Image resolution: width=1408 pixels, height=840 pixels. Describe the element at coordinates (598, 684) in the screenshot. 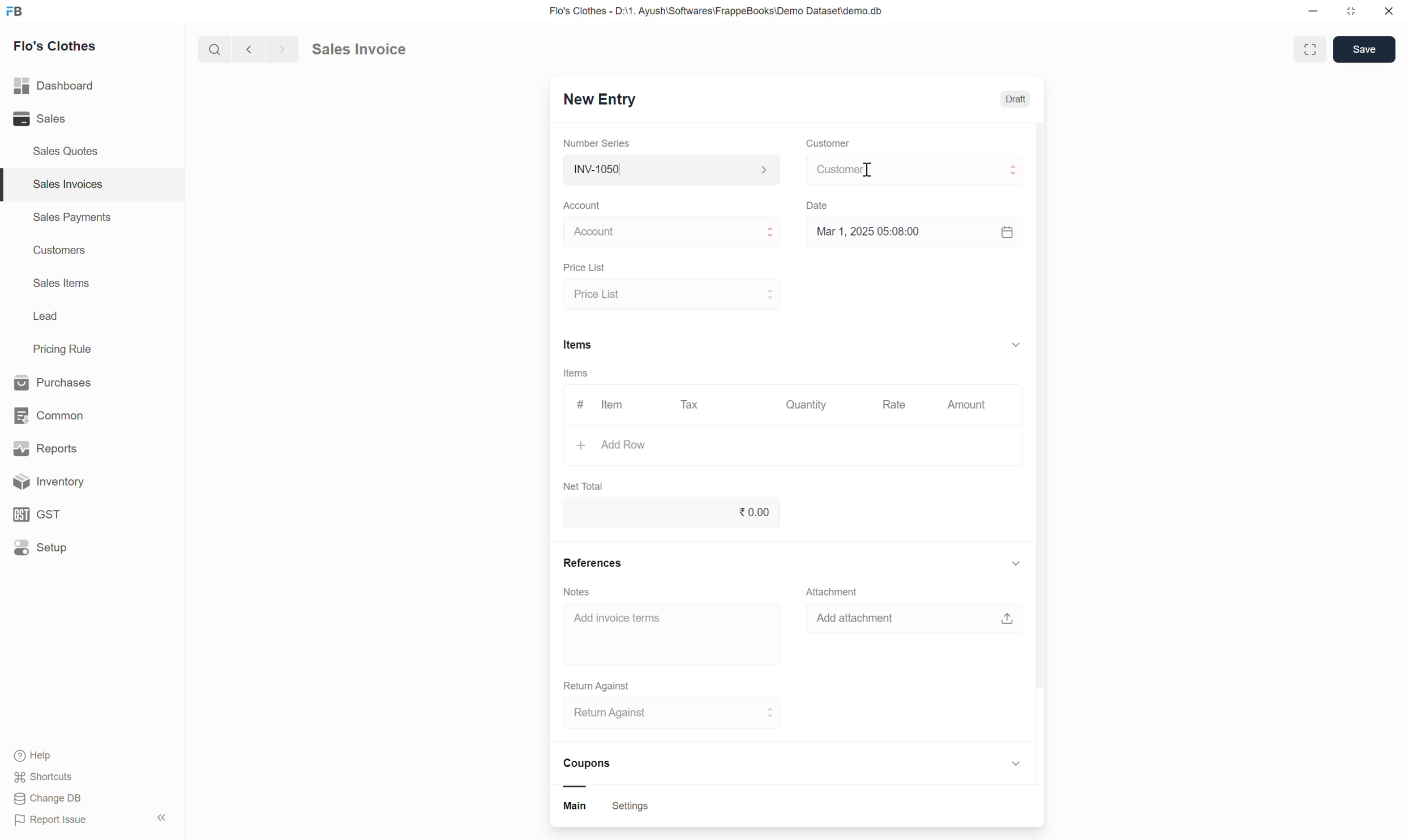

I see `Return Against` at that location.